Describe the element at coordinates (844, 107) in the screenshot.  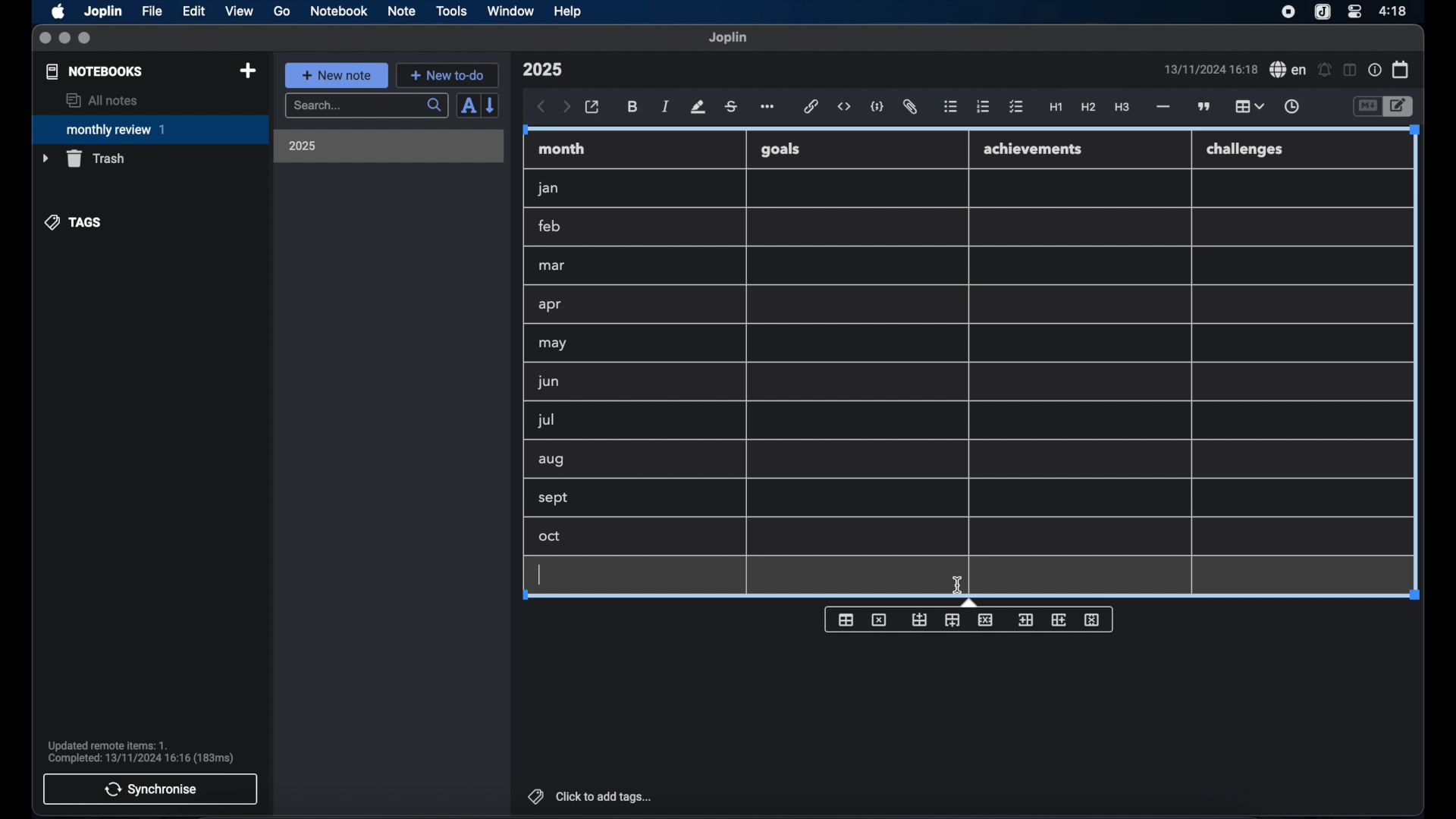
I see `inline code` at that location.